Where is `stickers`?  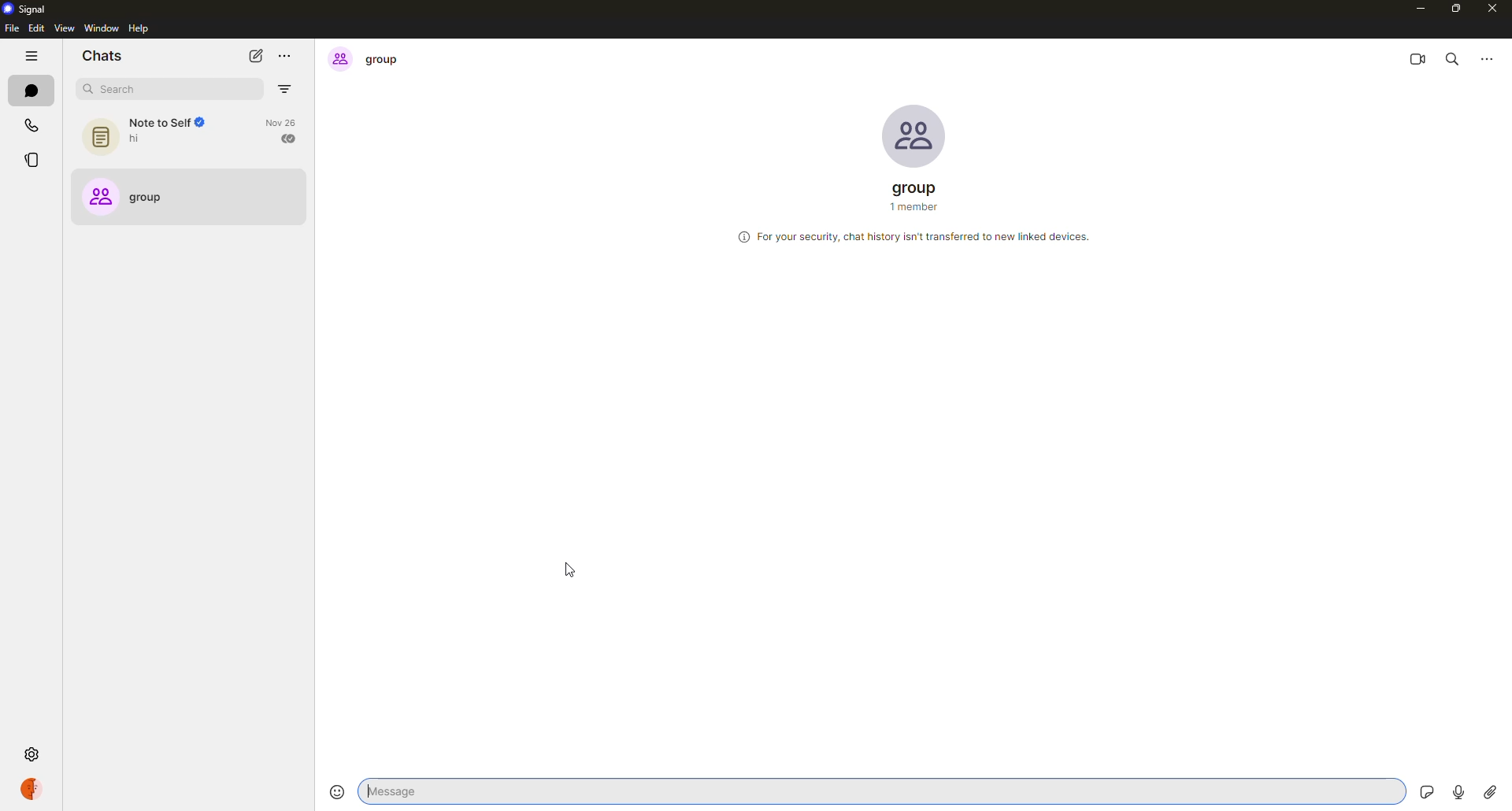
stickers is located at coordinates (1421, 790).